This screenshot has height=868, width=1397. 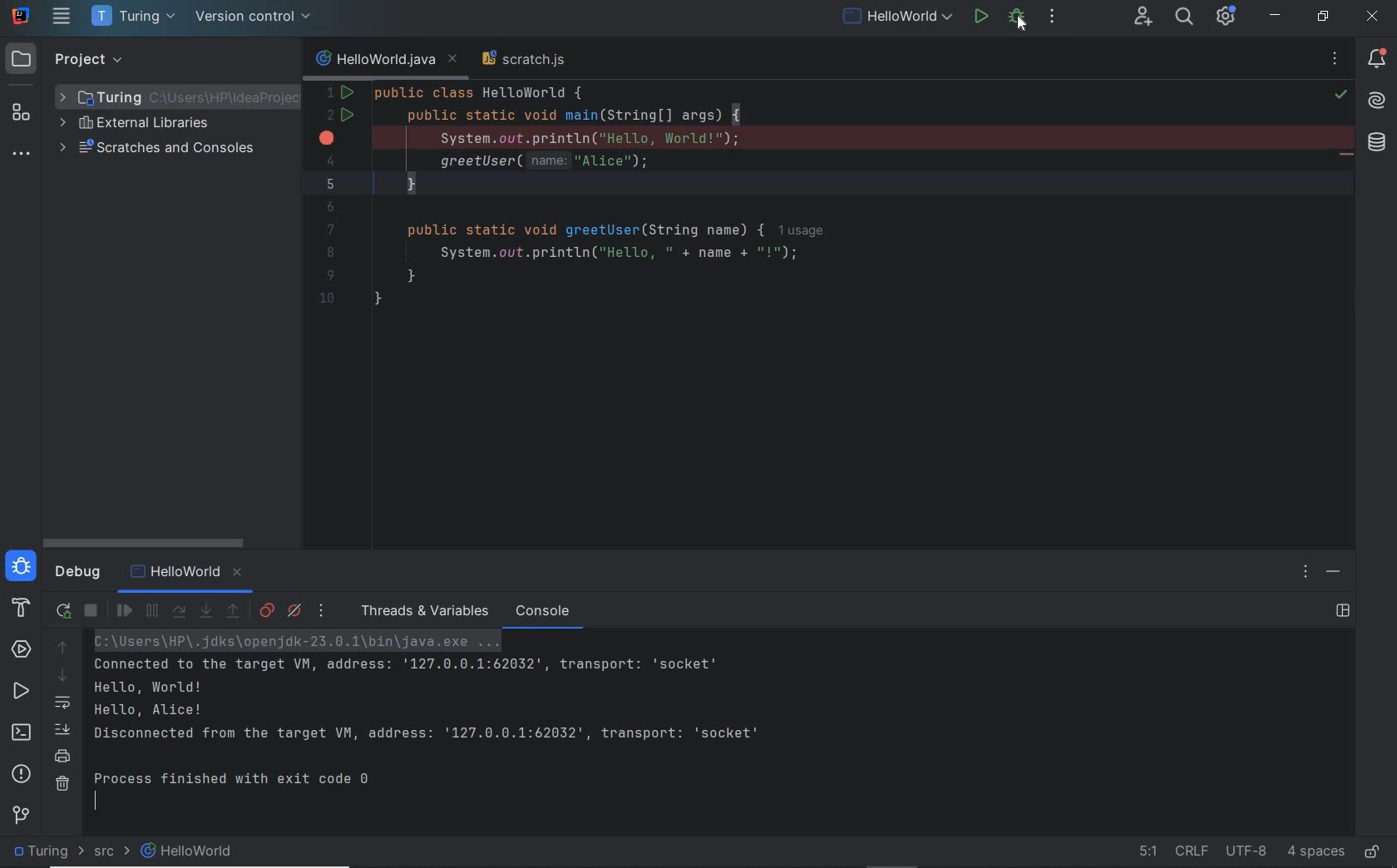 What do you see at coordinates (295, 612) in the screenshot?
I see `mute breaking points` at bounding box center [295, 612].